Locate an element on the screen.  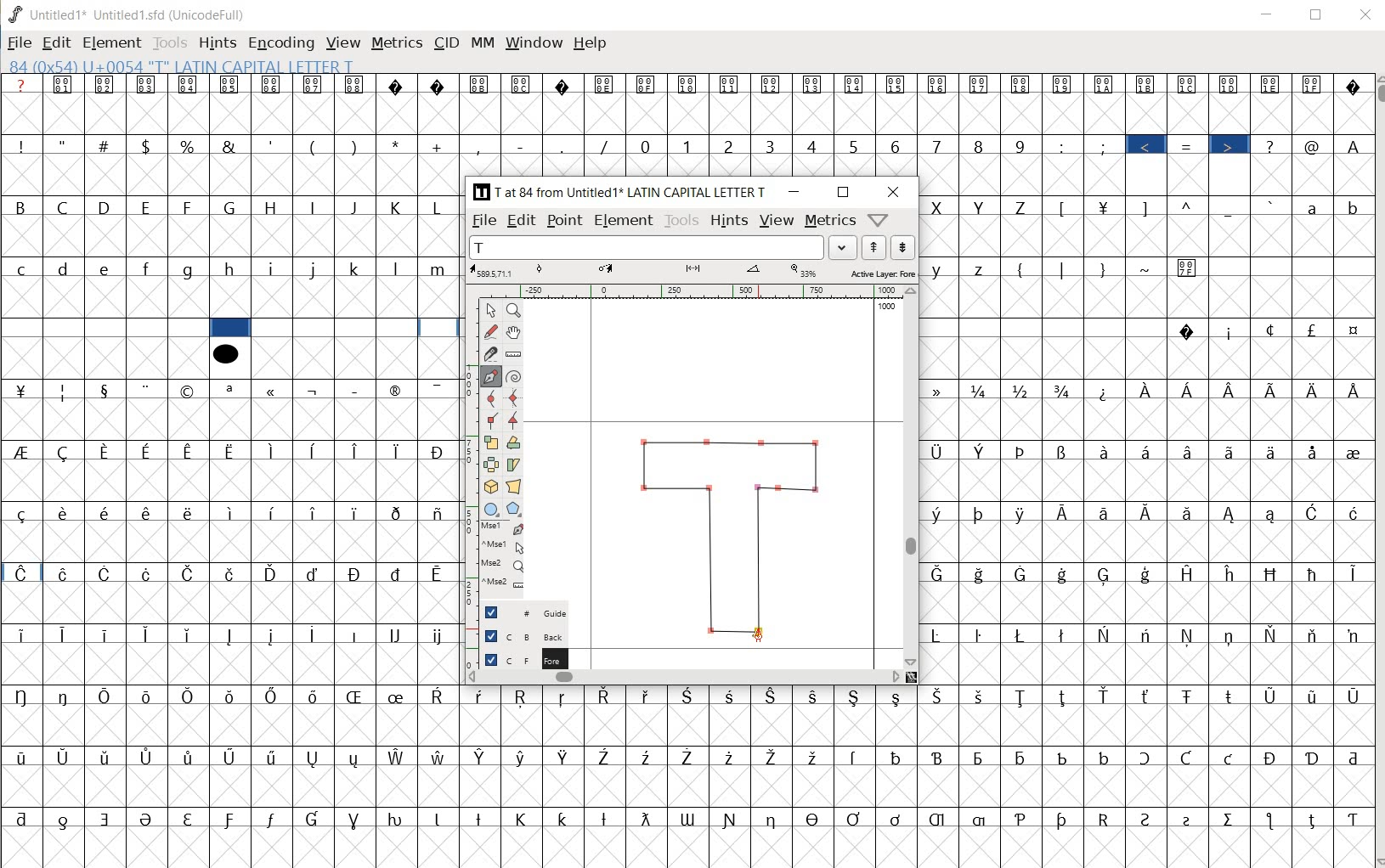
Symbol is located at coordinates (65, 85).